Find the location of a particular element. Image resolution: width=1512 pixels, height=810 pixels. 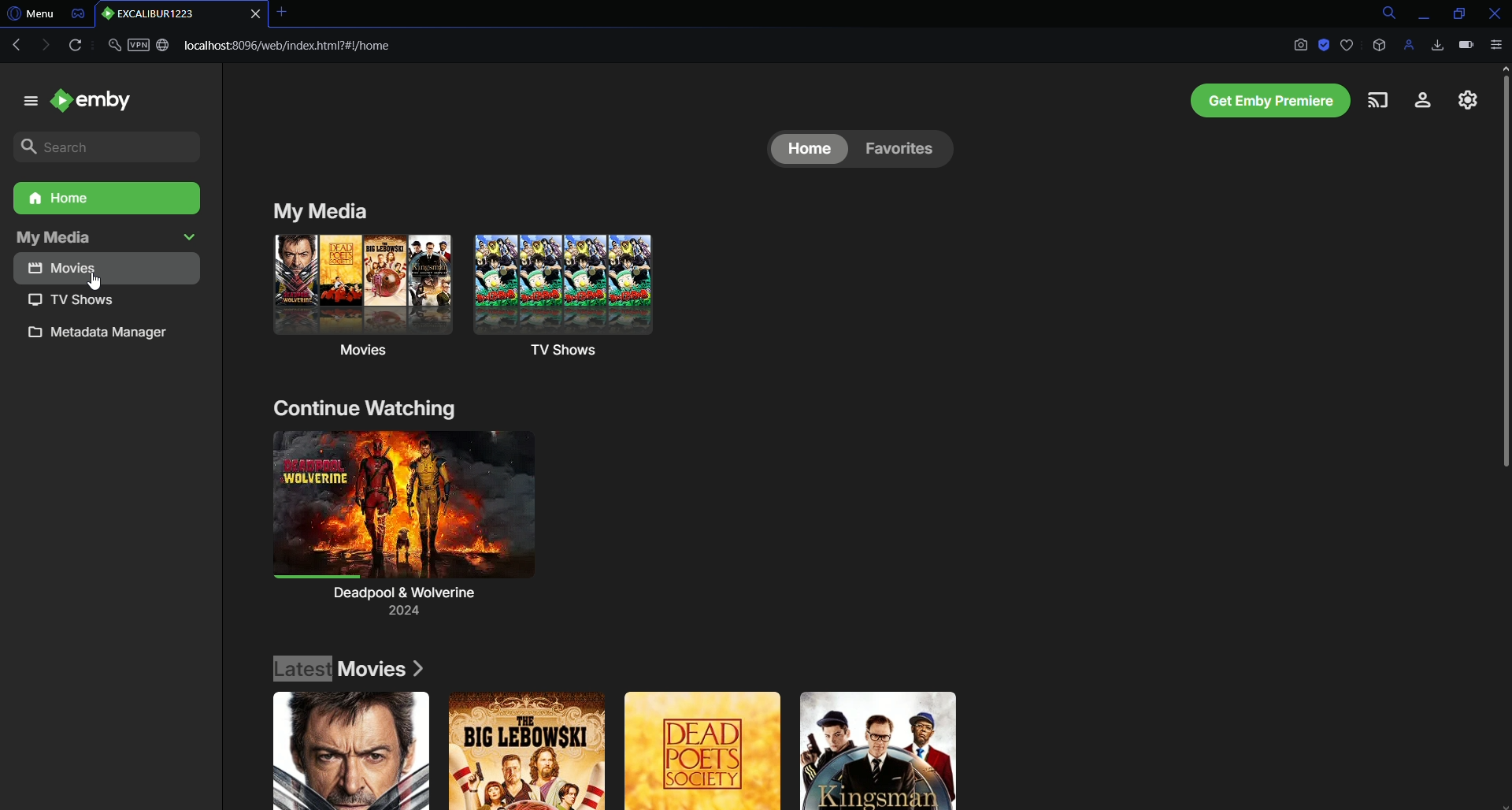

Downloads is located at coordinates (1440, 44).